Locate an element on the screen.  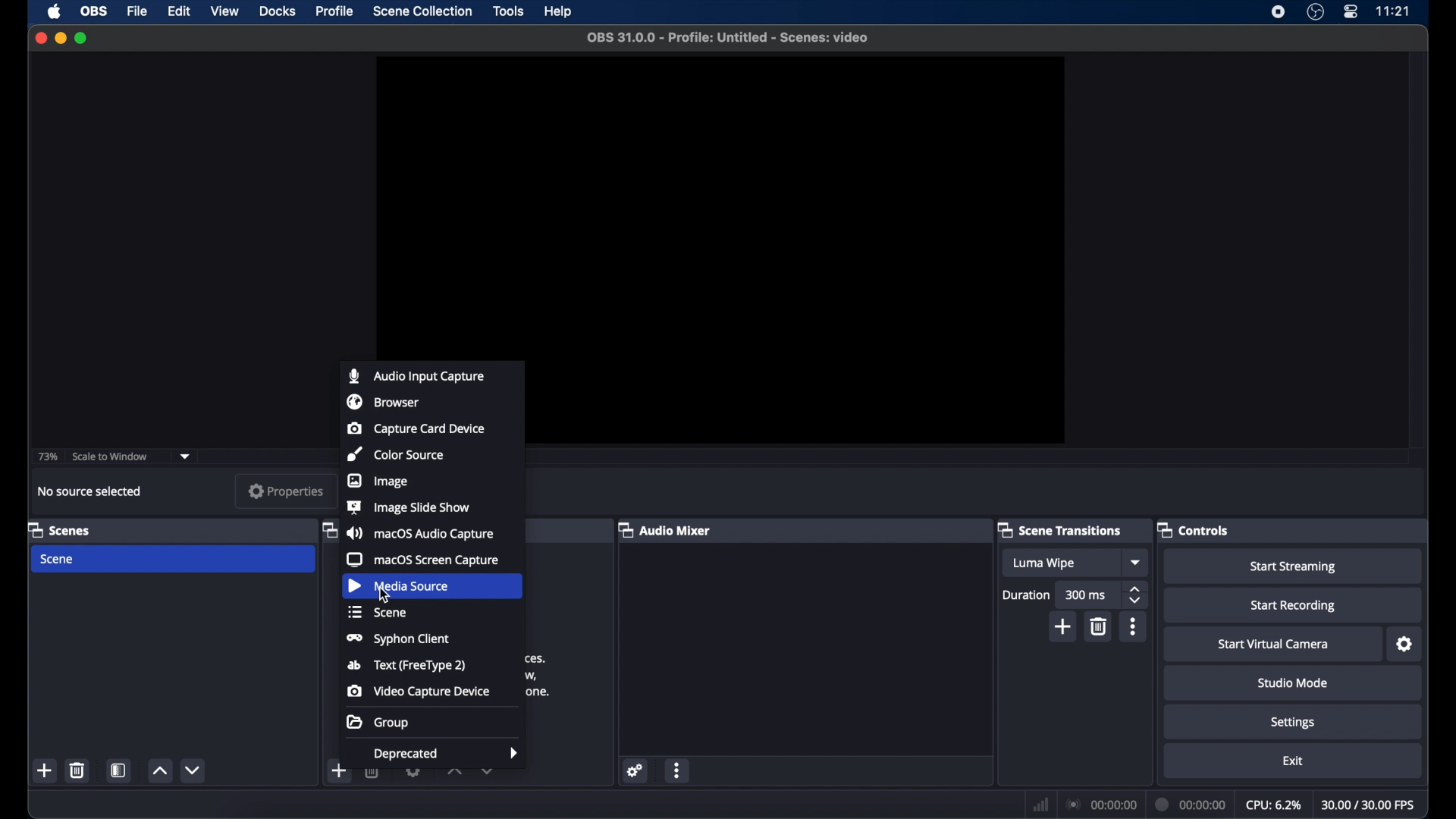
browser is located at coordinates (382, 401).